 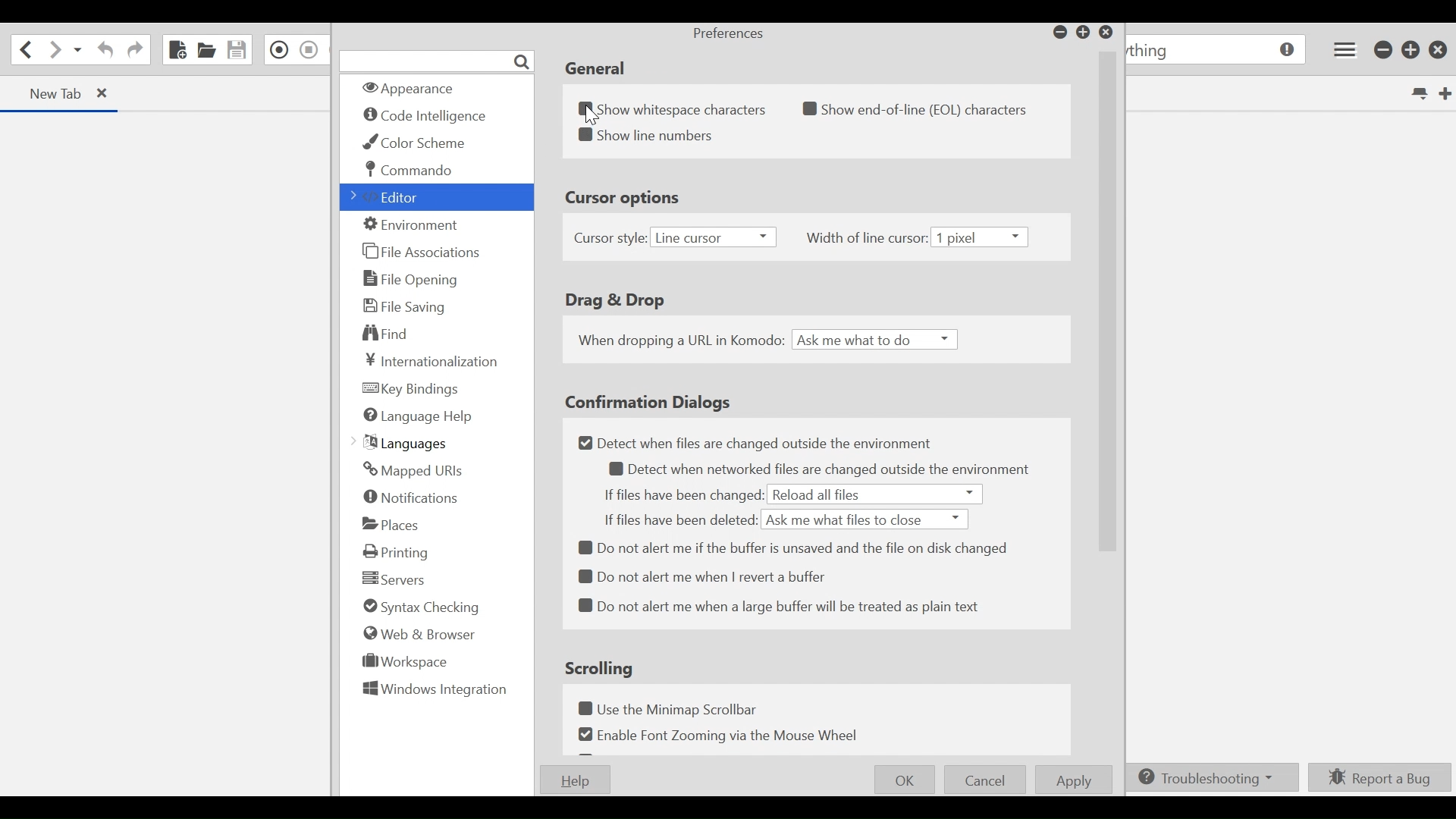 What do you see at coordinates (745, 442) in the screenshot?
I see `Detect when files are changed outside the environment` at bounding box center [745, 442].